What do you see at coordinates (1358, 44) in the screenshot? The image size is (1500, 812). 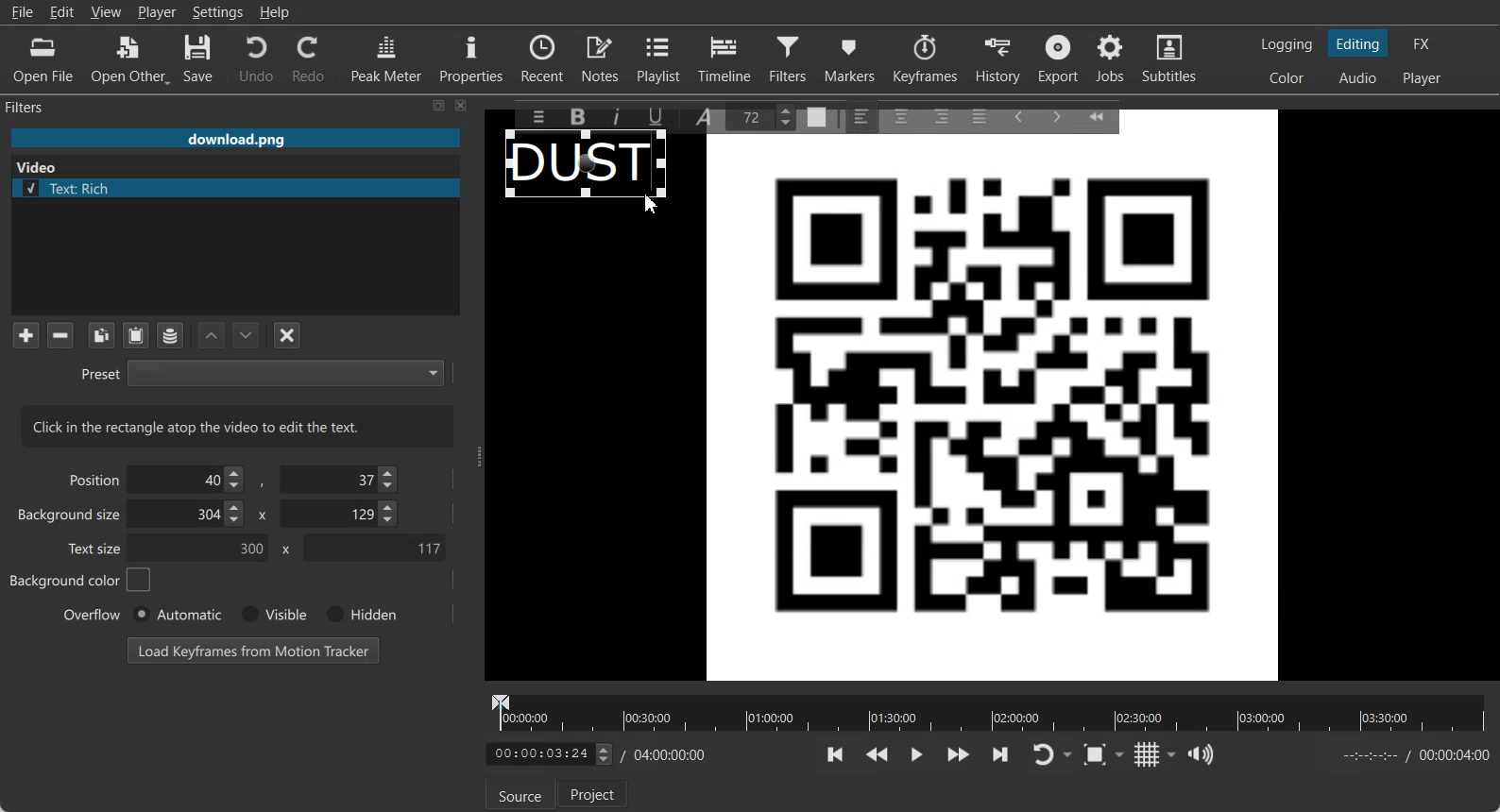 I see `Switching to the Editing layout` at bounding box center [1358, 44].